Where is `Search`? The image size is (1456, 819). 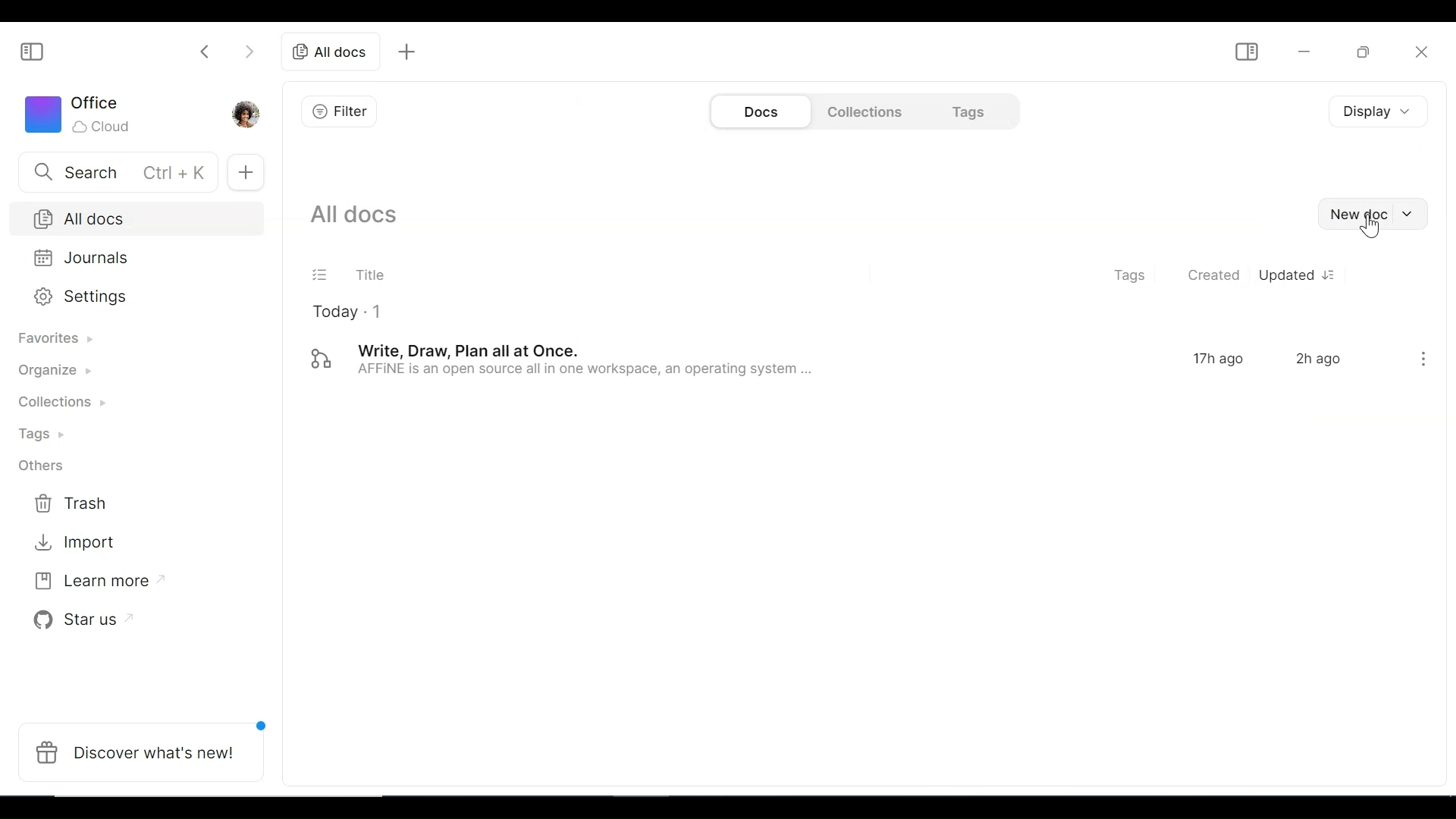
Search is located at coordinates (115, 173).